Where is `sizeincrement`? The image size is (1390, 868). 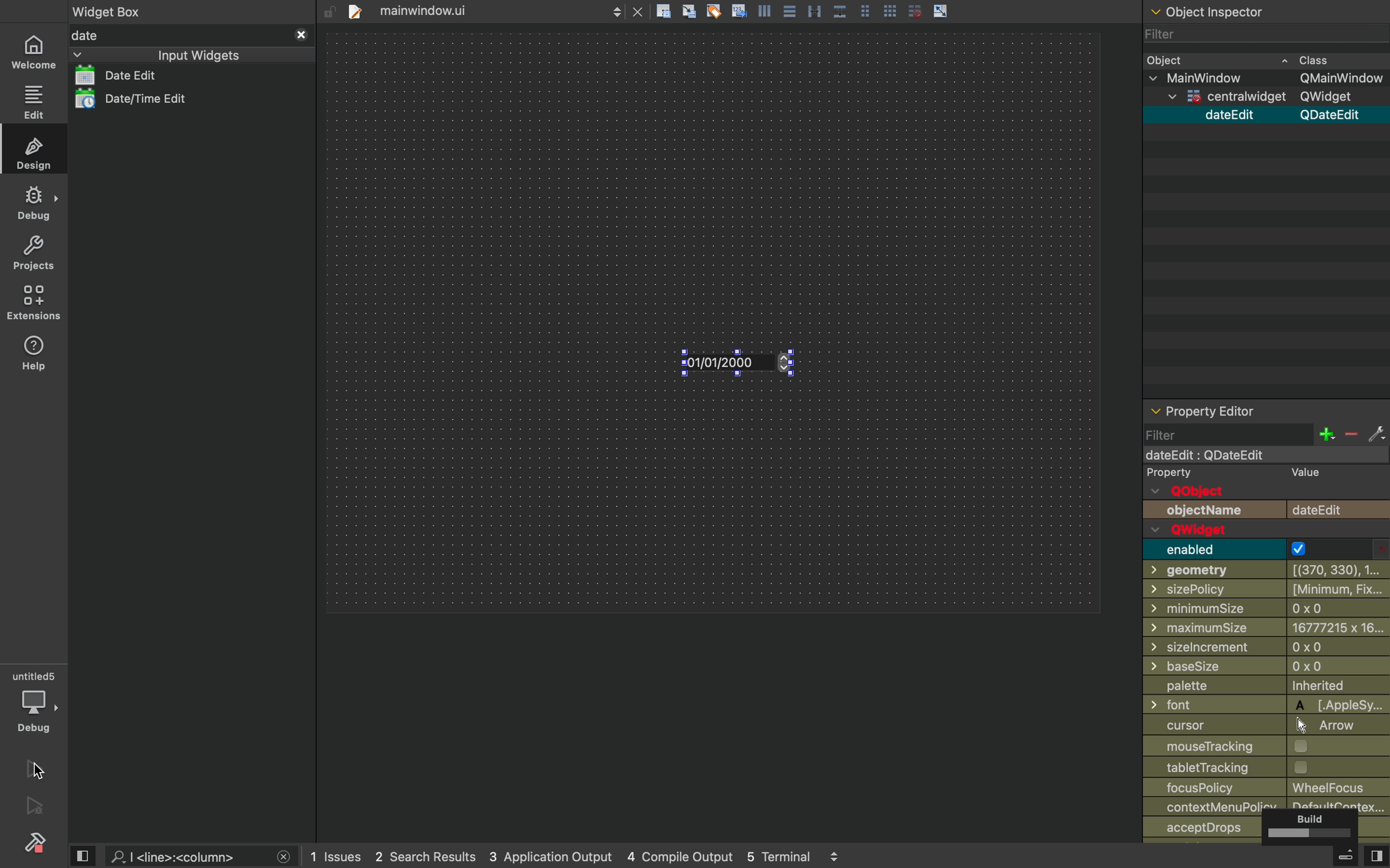 sizeincrement is located at coordinates (1267, 649).